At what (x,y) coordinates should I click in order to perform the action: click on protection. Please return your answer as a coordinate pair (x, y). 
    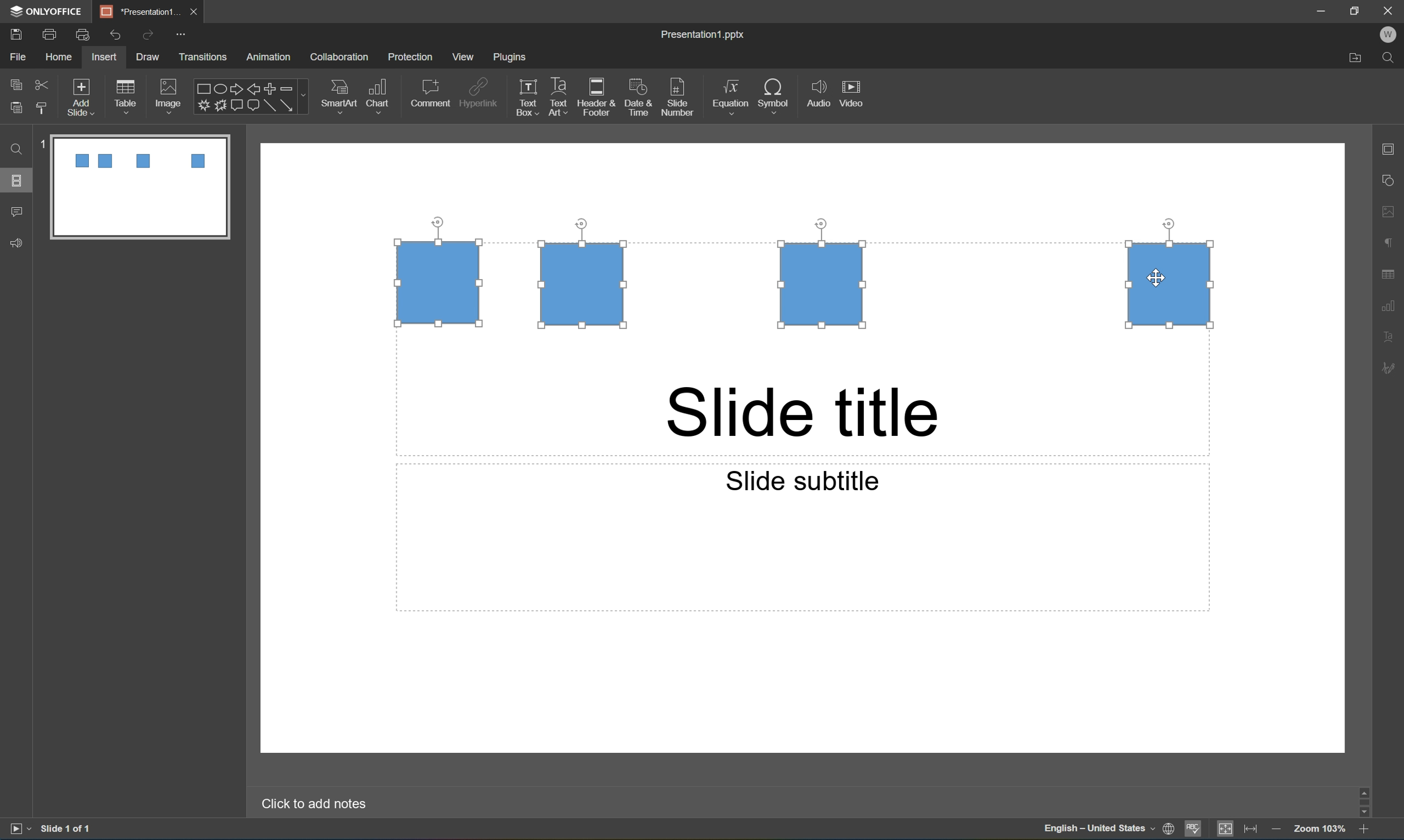
    Looking at the image, I should click on (412, 58).